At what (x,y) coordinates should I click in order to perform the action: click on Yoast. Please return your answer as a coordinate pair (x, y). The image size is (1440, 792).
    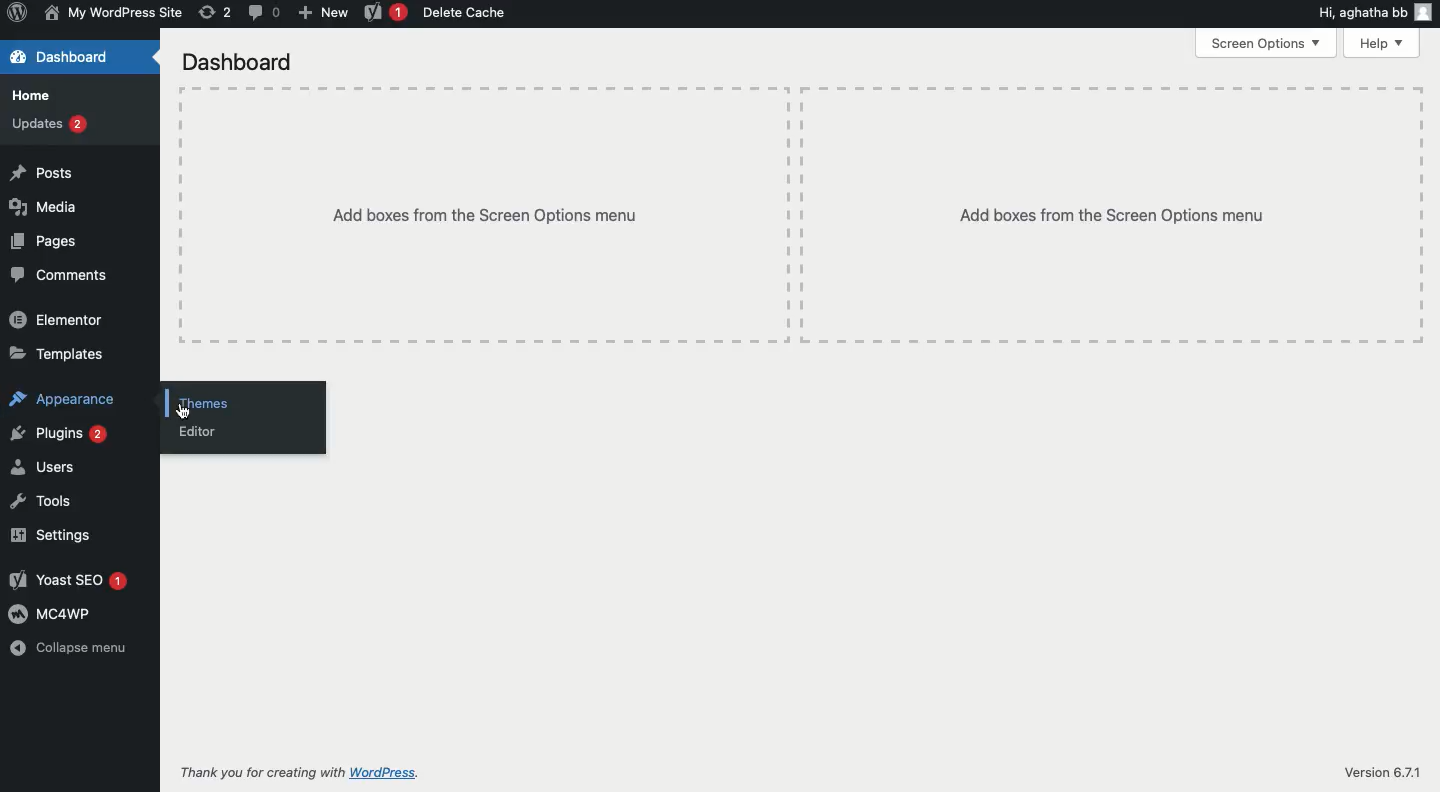
    Looking at the image, I should click on (66, 580).